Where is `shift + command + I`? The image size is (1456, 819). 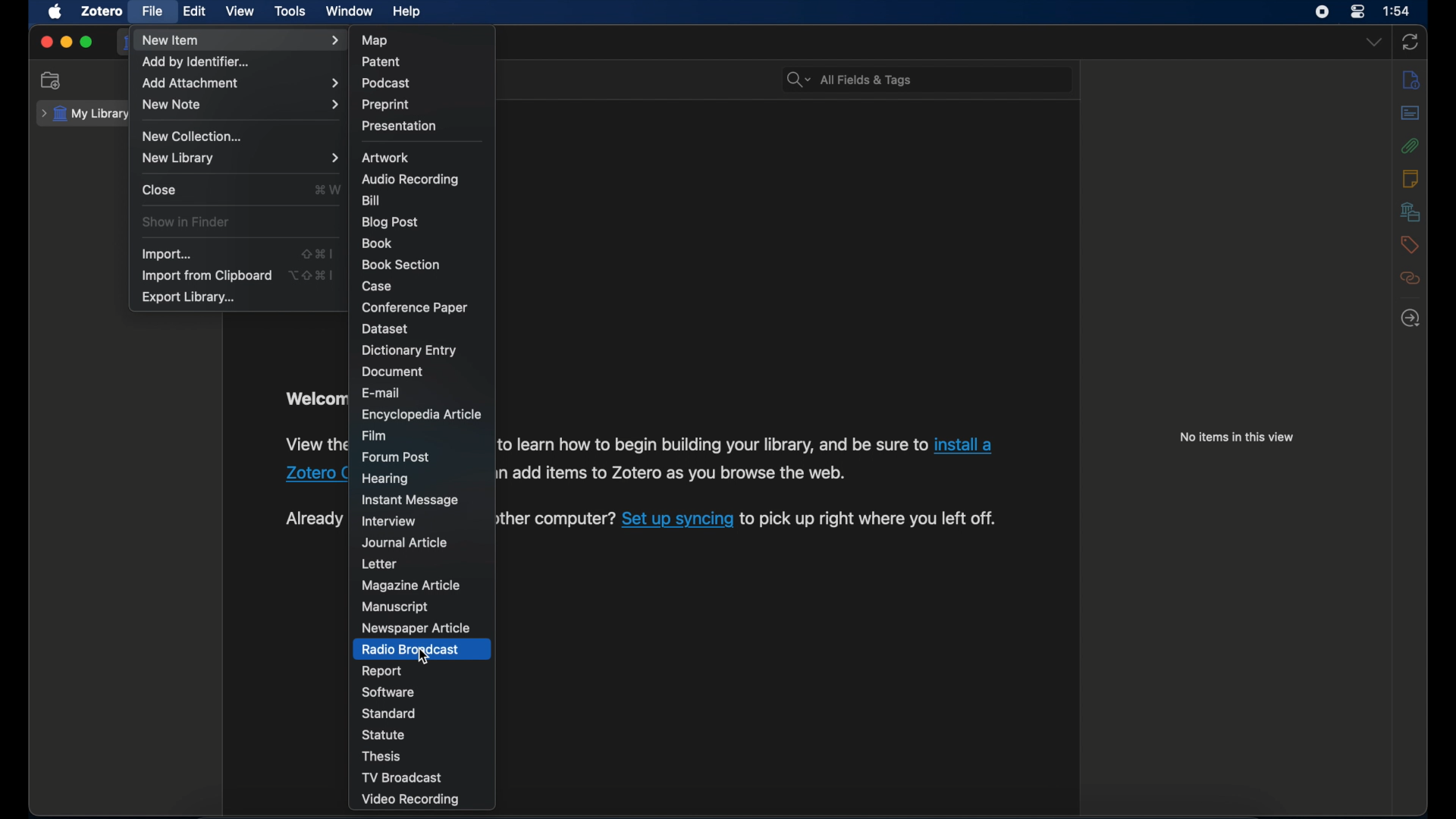 shift + command + I is located at coordinates (318, 253).